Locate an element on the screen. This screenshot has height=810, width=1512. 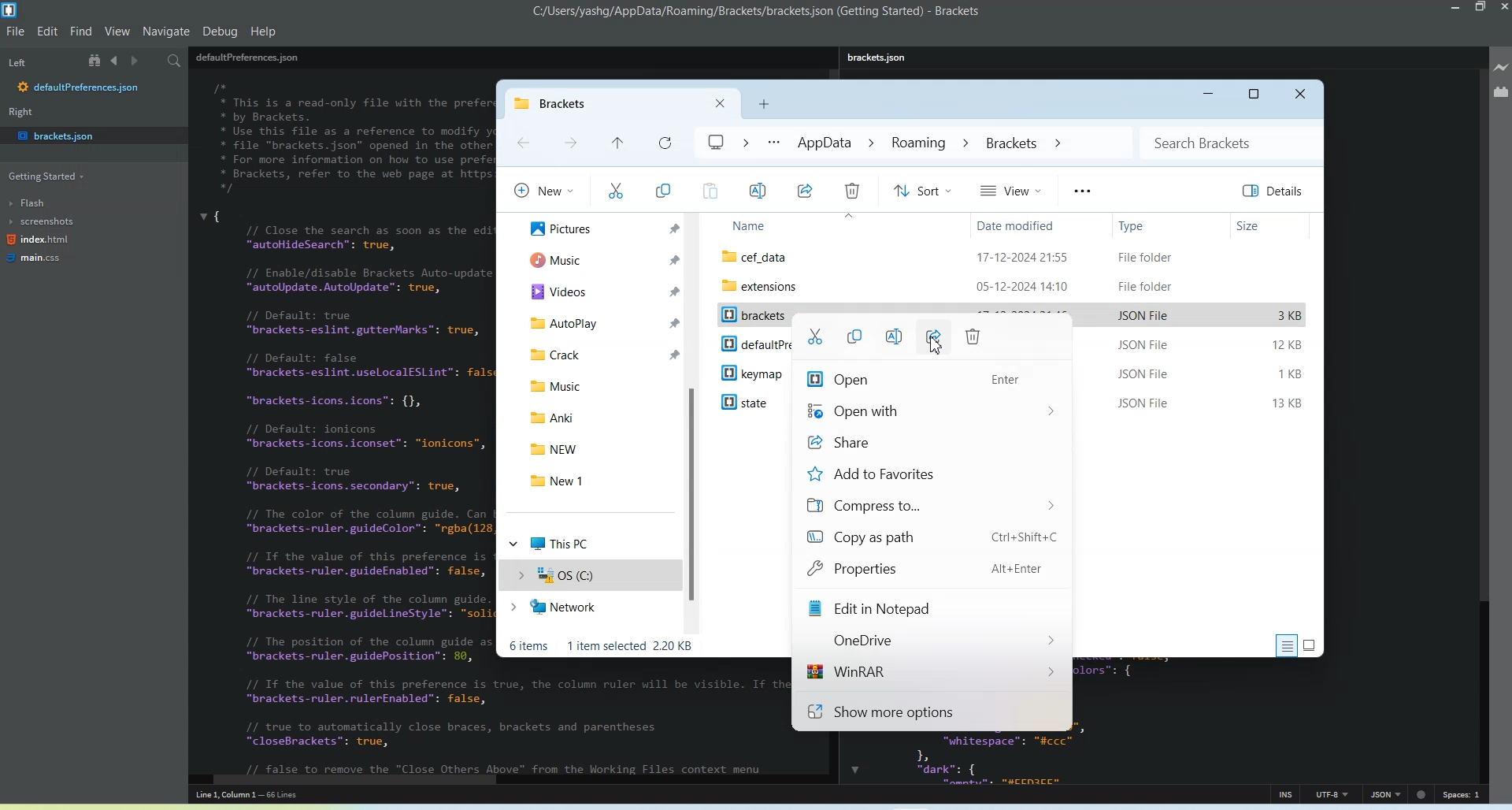
Go Forward is located at coordinates (570, 144).